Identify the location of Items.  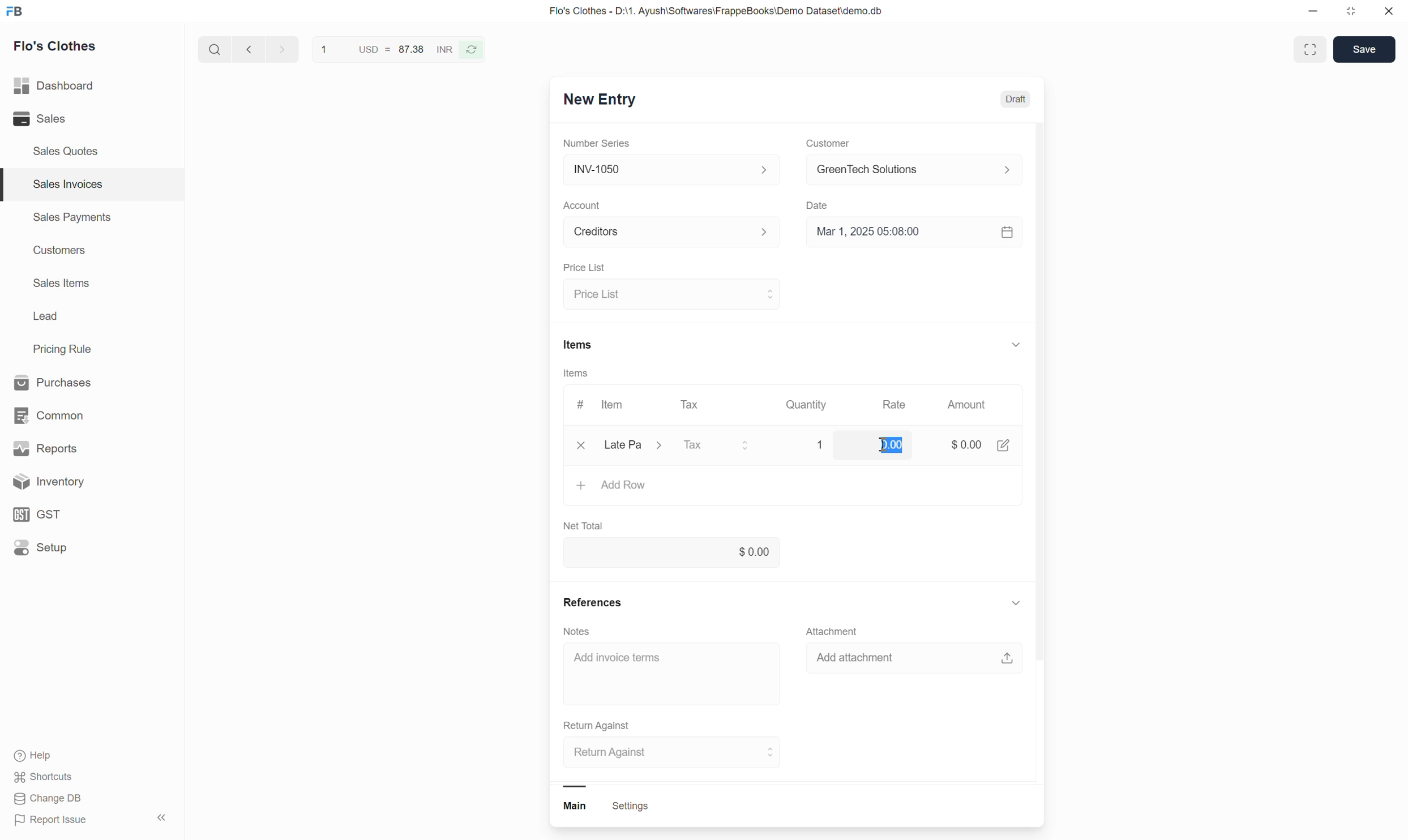
(576, 375).